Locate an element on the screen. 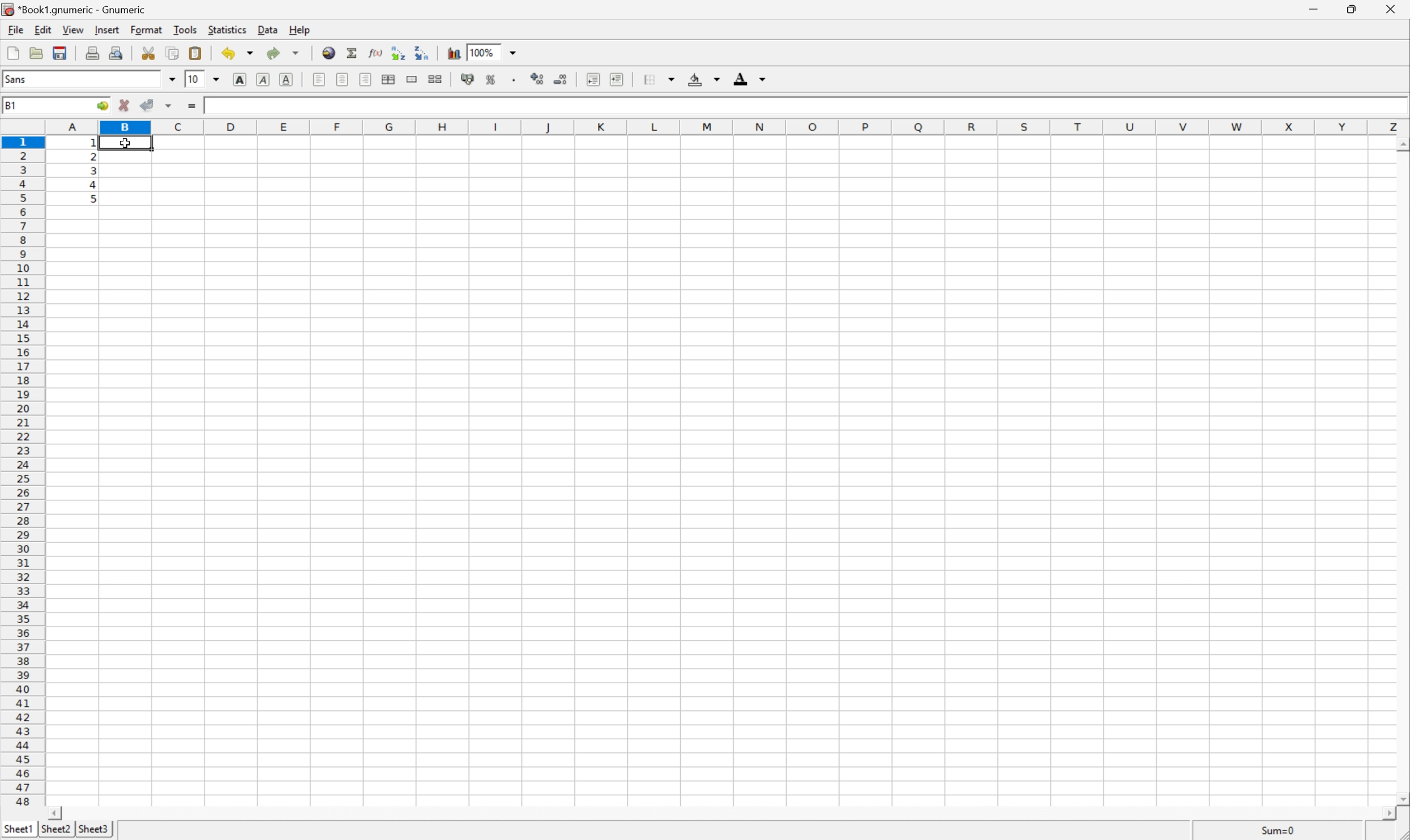  Statistics is located at coordinates (227, 29).